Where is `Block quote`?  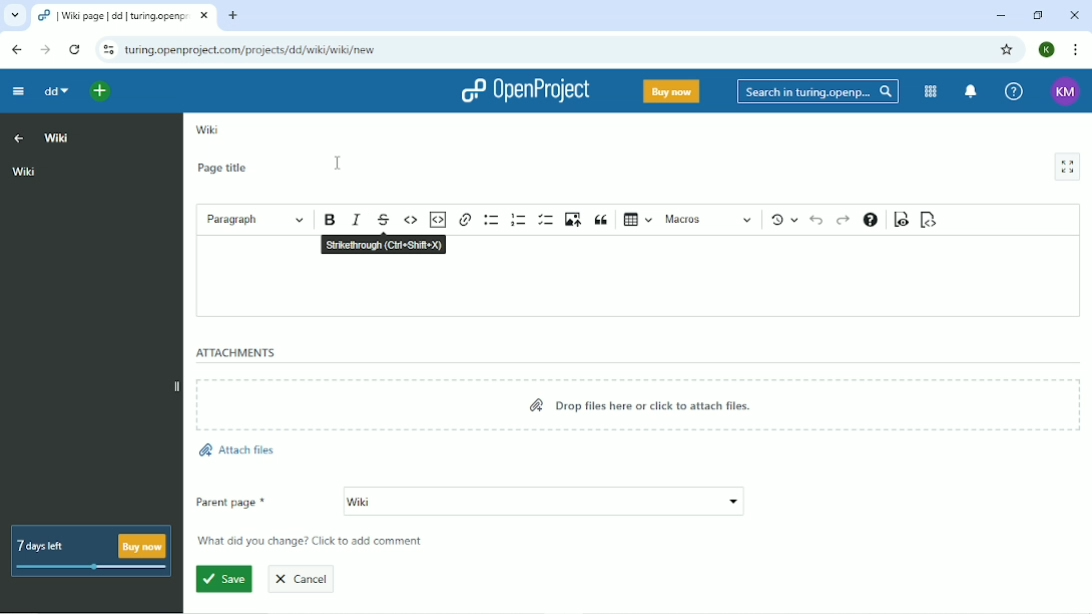 Block quote is located at coordinates (601, 219).